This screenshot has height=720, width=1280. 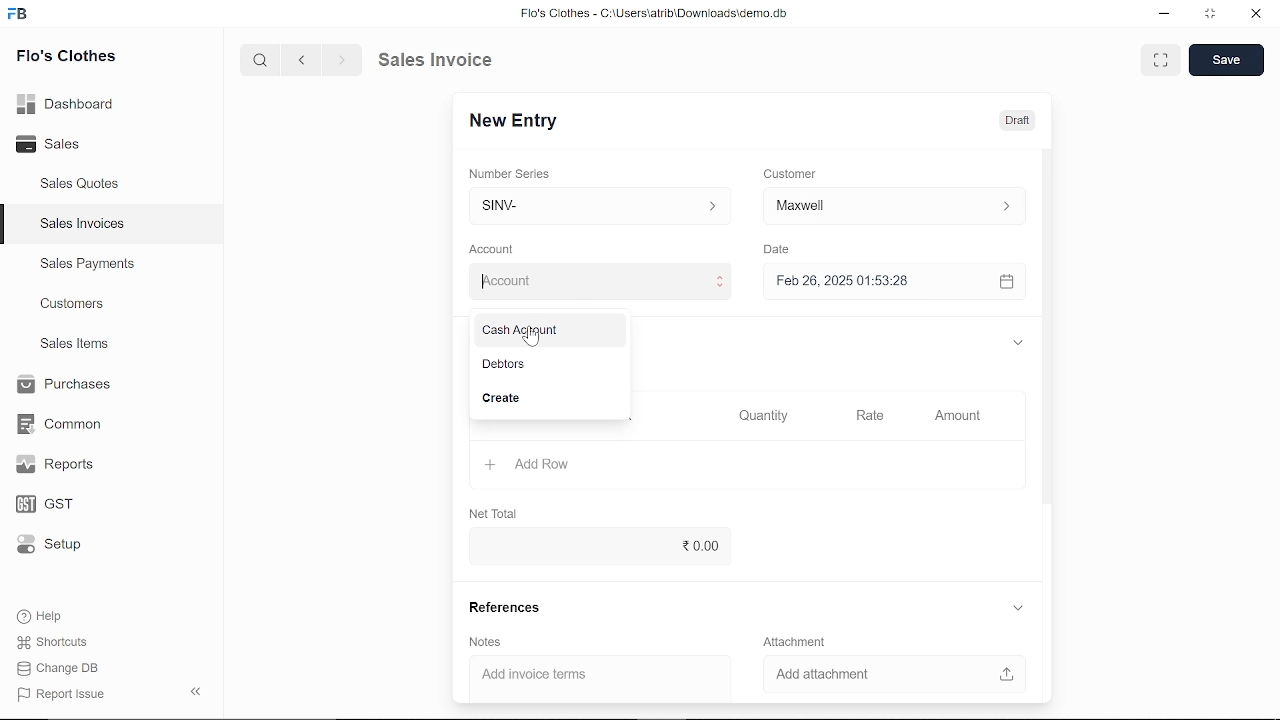 I want to click on ‘Add invoice terms, so click(x=584, y=677).